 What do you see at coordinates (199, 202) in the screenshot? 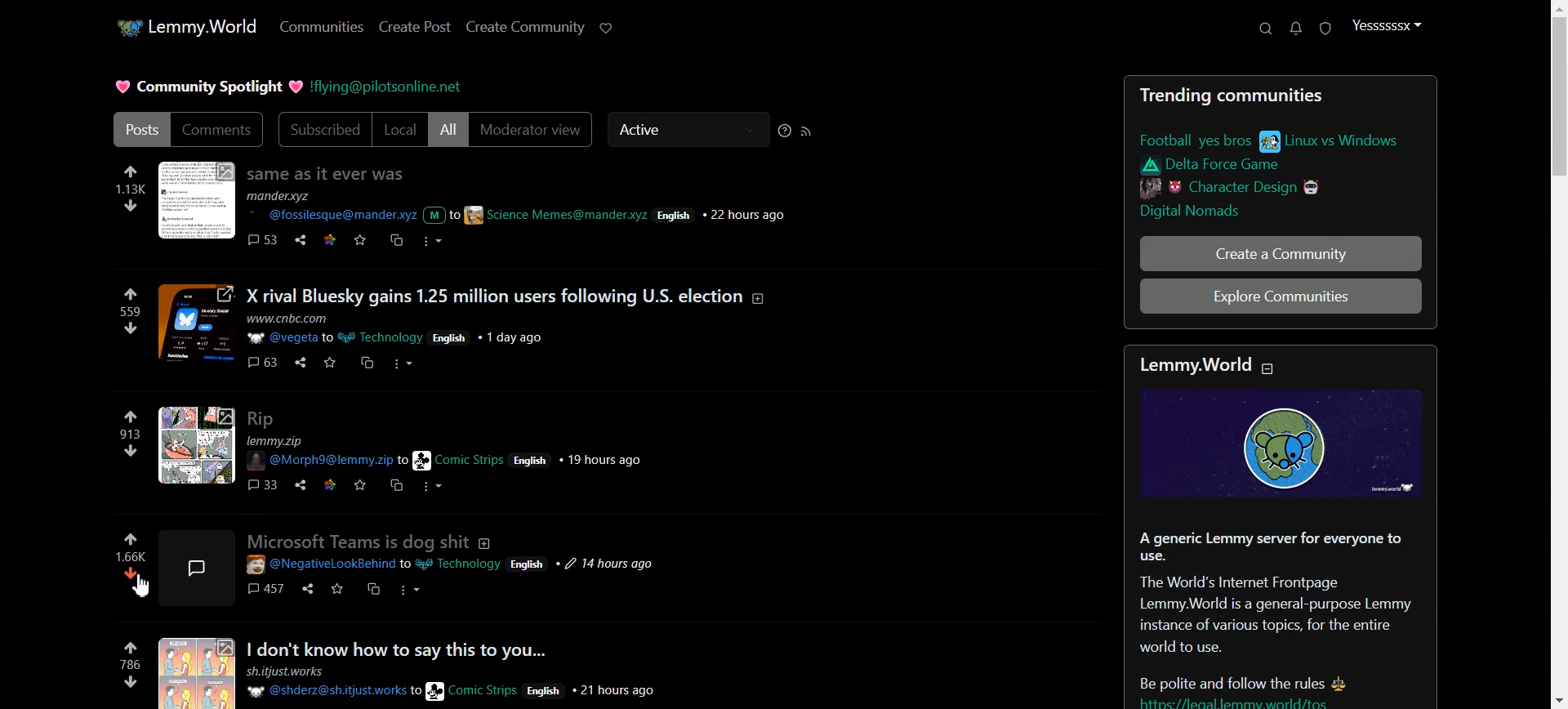
I see `image` at bounding box center [199, 202].